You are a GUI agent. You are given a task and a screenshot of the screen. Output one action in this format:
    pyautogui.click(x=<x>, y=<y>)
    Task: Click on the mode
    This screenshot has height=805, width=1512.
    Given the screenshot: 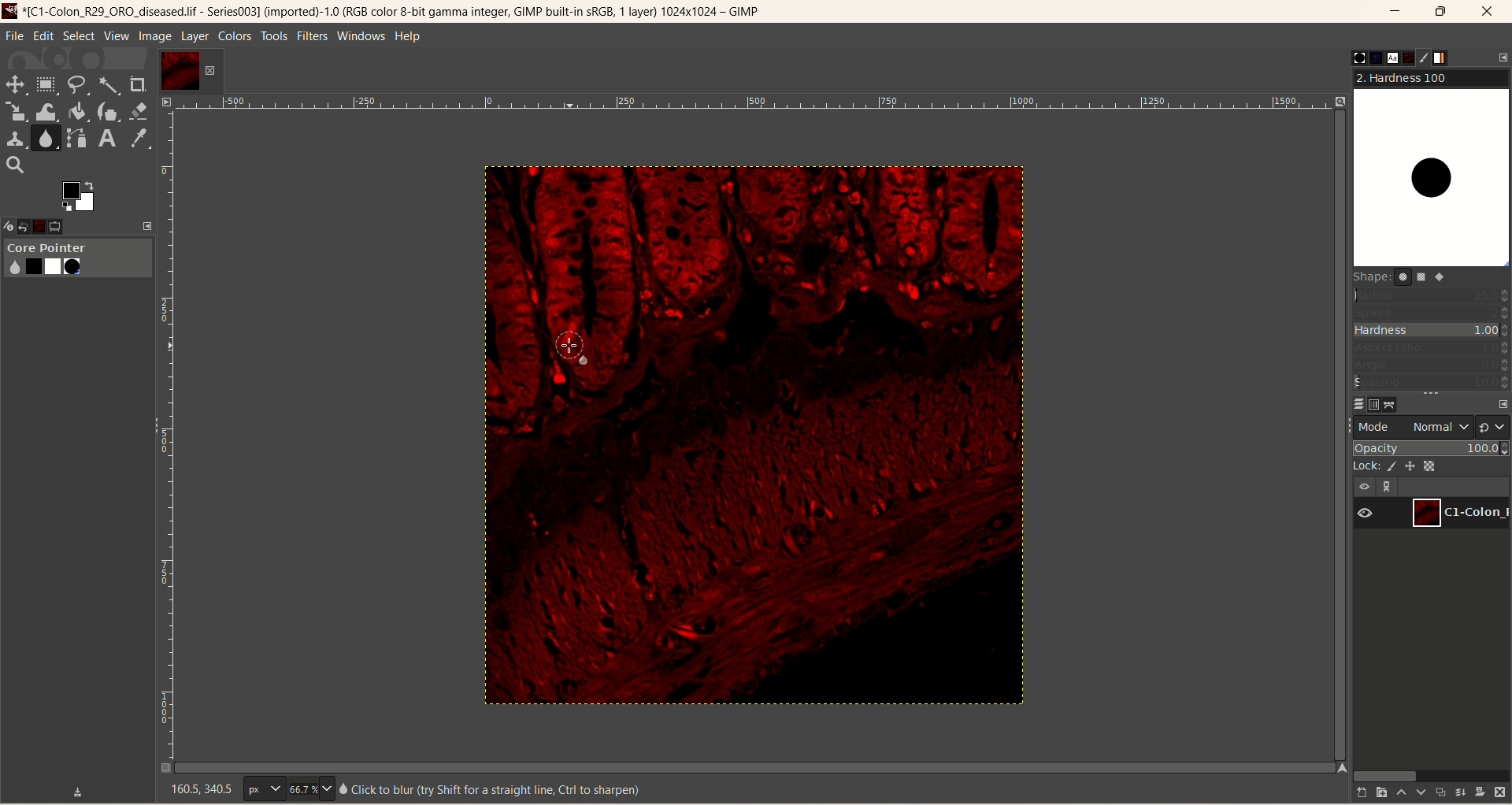 What is the action you would take?
    pyautogui.click(x=1376, y=426)
    